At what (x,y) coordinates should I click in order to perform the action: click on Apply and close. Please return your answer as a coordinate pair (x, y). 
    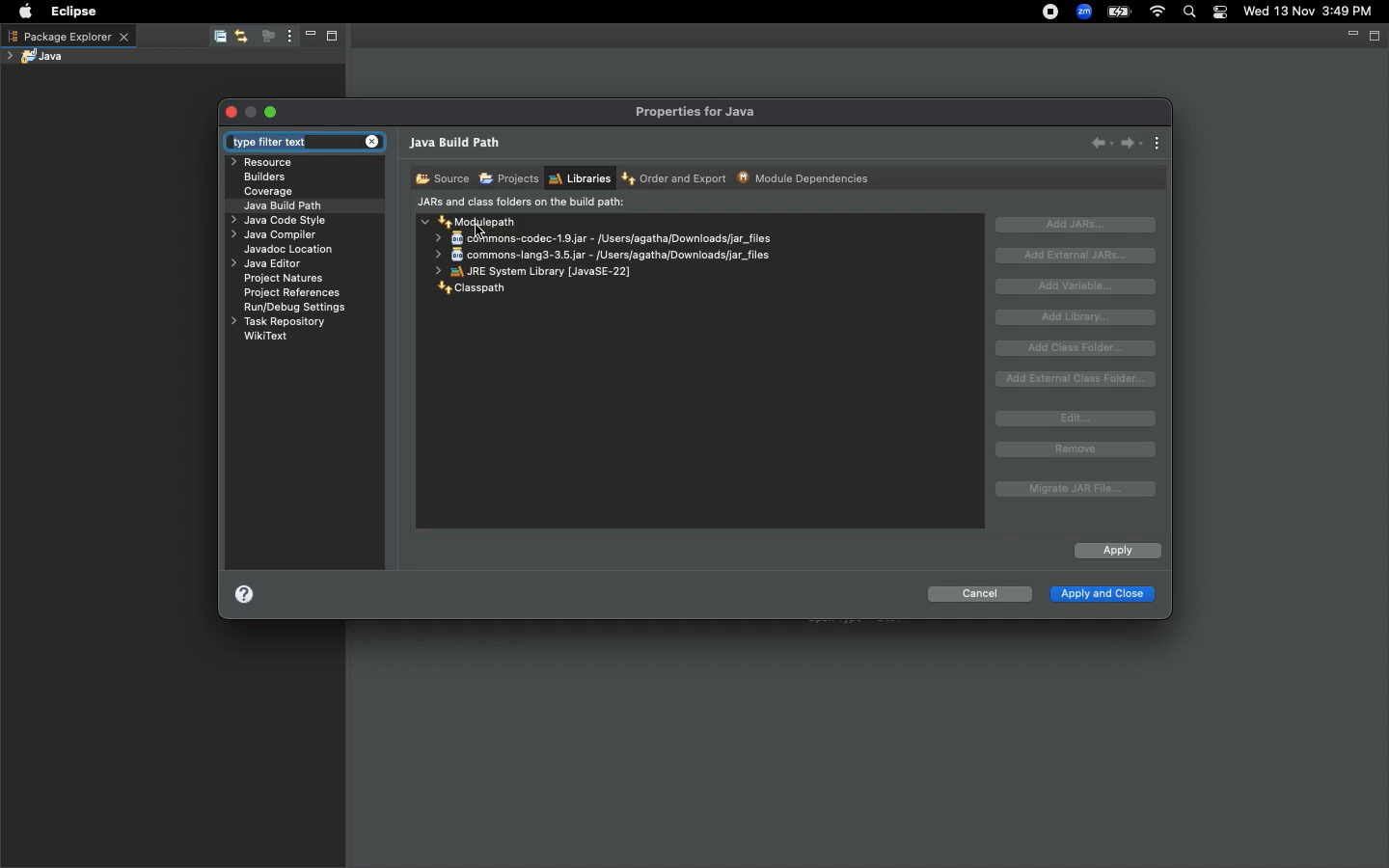
    Looking at the image, I should click on (1101, 596).